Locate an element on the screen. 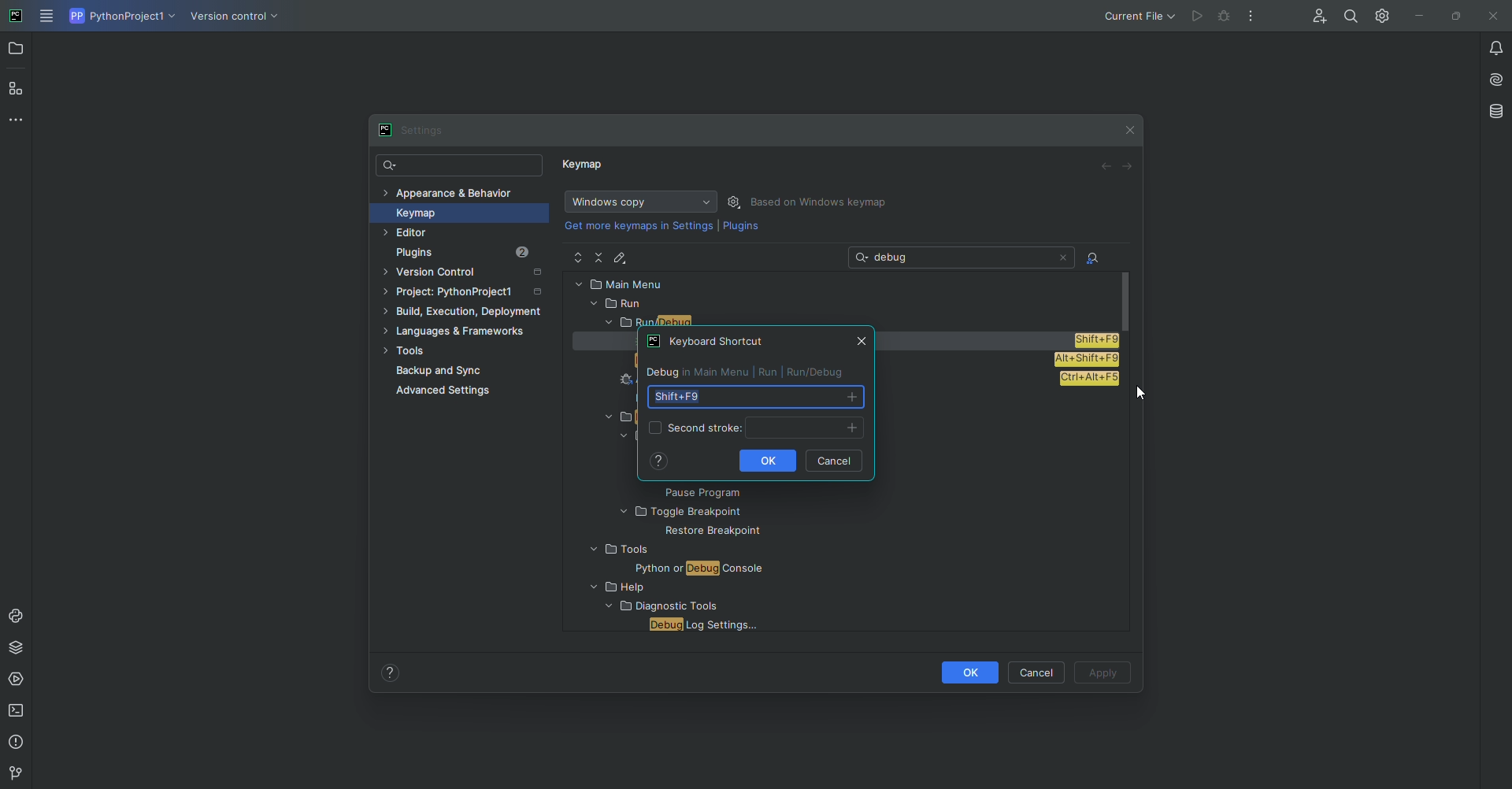  Editor is located at coordinates (439, 233).